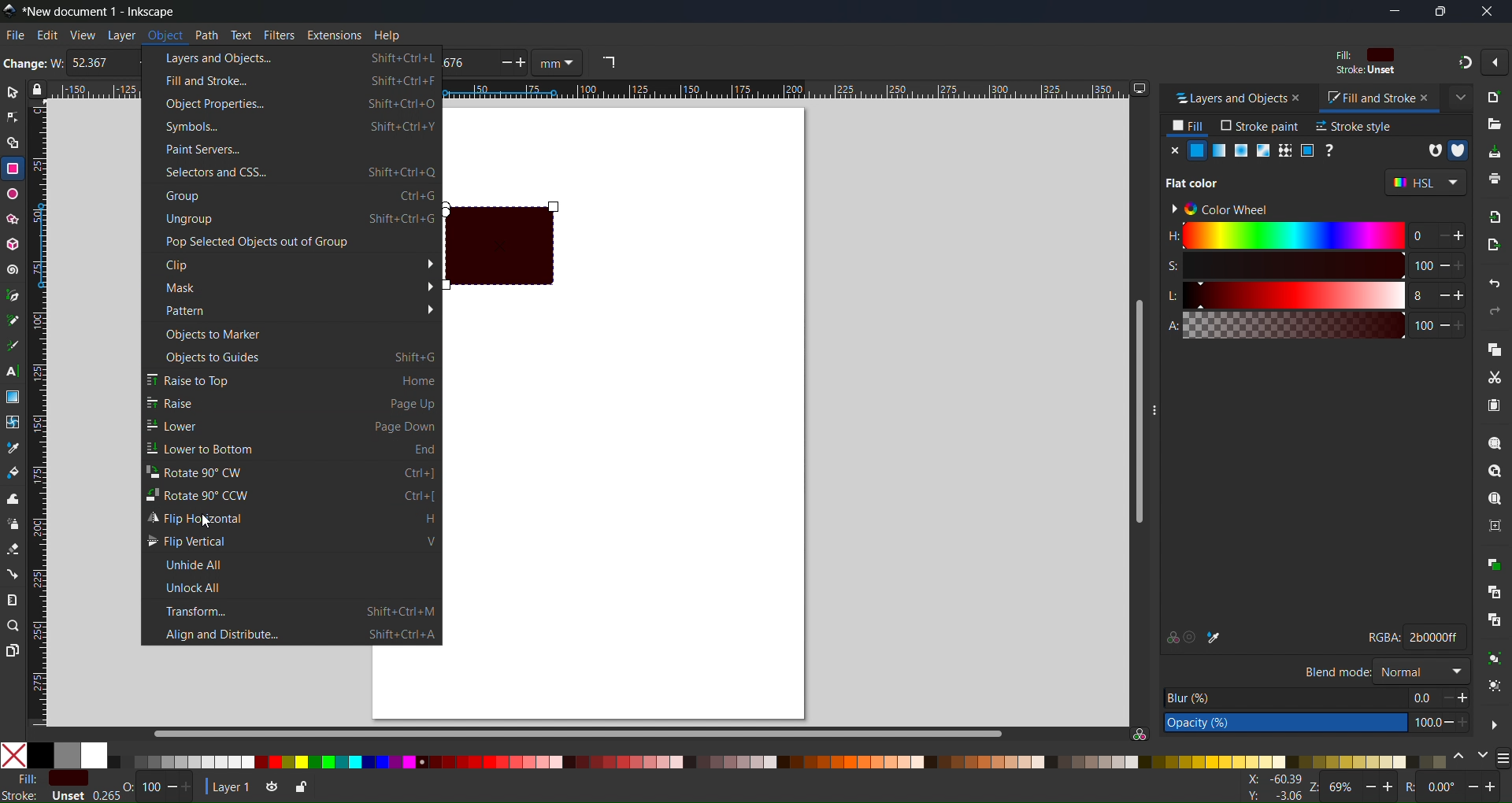  What do you see at coordinates (47, 35) in the screenshot?
I see `Edit` at bounding box center [47, 35].